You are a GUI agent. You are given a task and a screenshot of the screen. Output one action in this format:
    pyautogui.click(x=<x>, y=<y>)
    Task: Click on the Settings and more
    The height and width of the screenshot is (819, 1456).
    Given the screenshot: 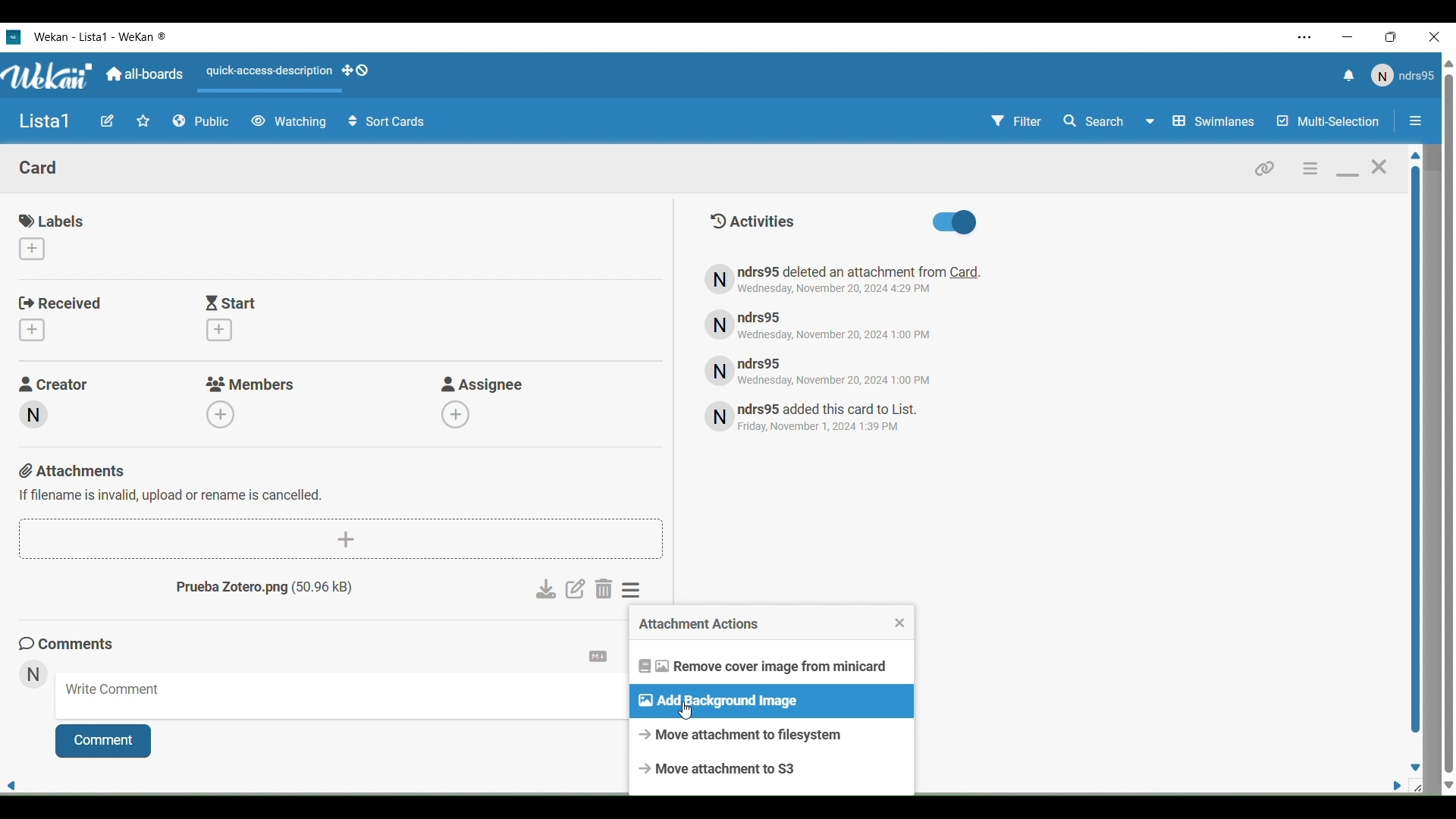 What is the action you would take?
    pyautogui.click(x=1306, y=37)
    